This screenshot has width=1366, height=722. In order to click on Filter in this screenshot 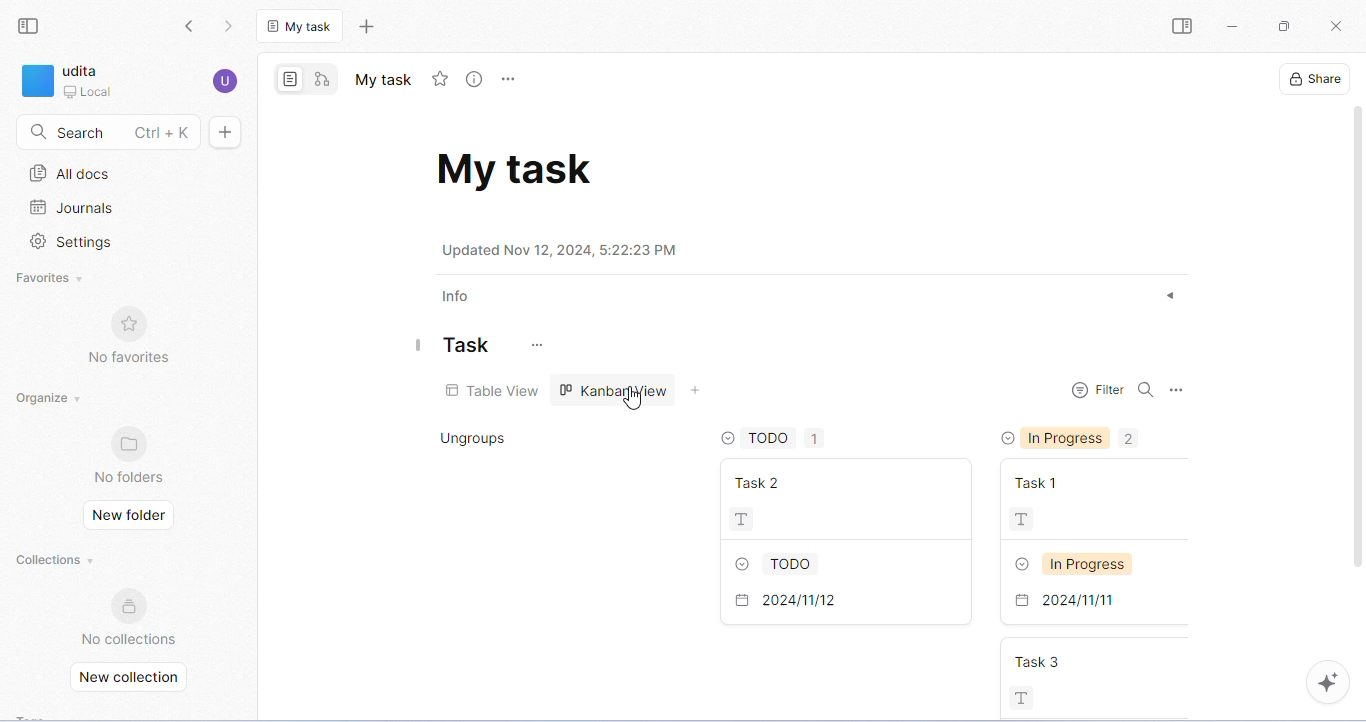, I will do `click(1098, 393)`.